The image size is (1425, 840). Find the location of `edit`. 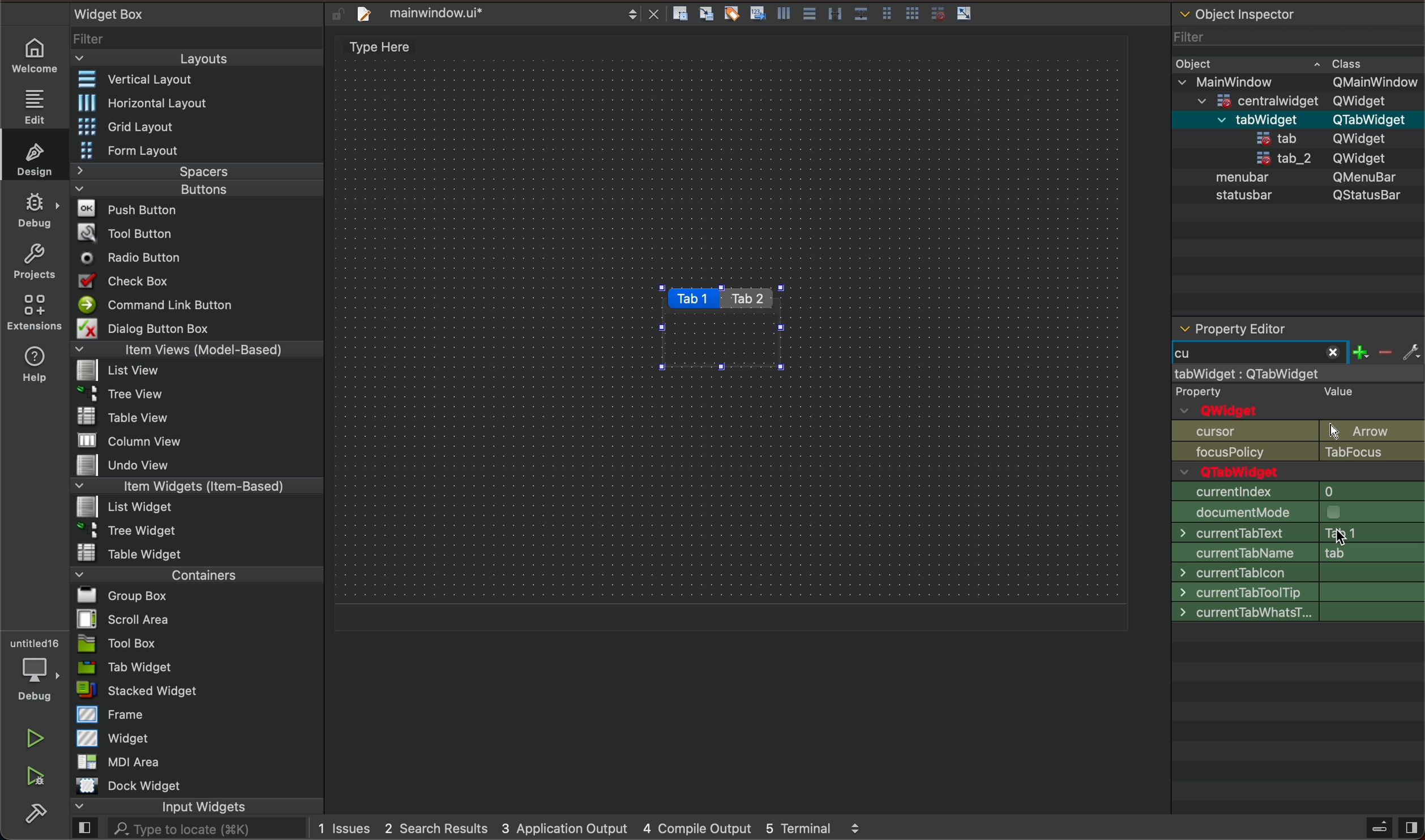

edit is located at coordinates (36, 103).